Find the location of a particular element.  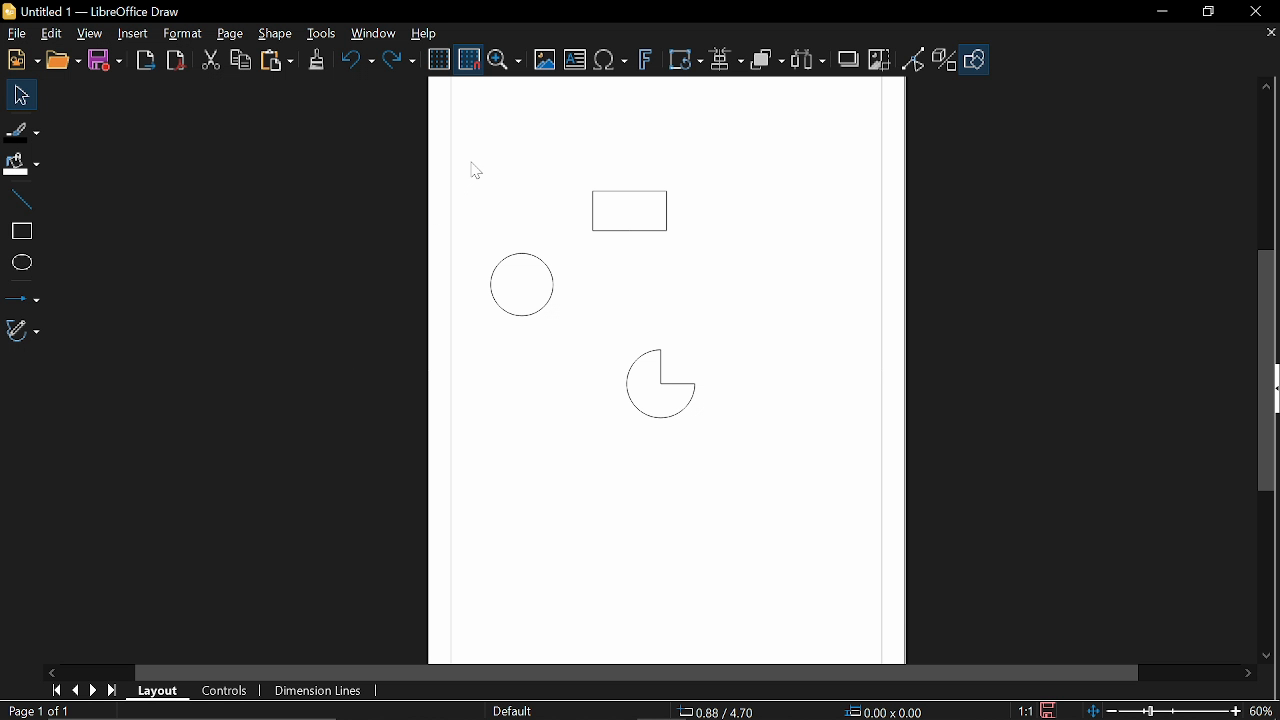

60% (Current zoom) is located at coordinates (1261, 710).